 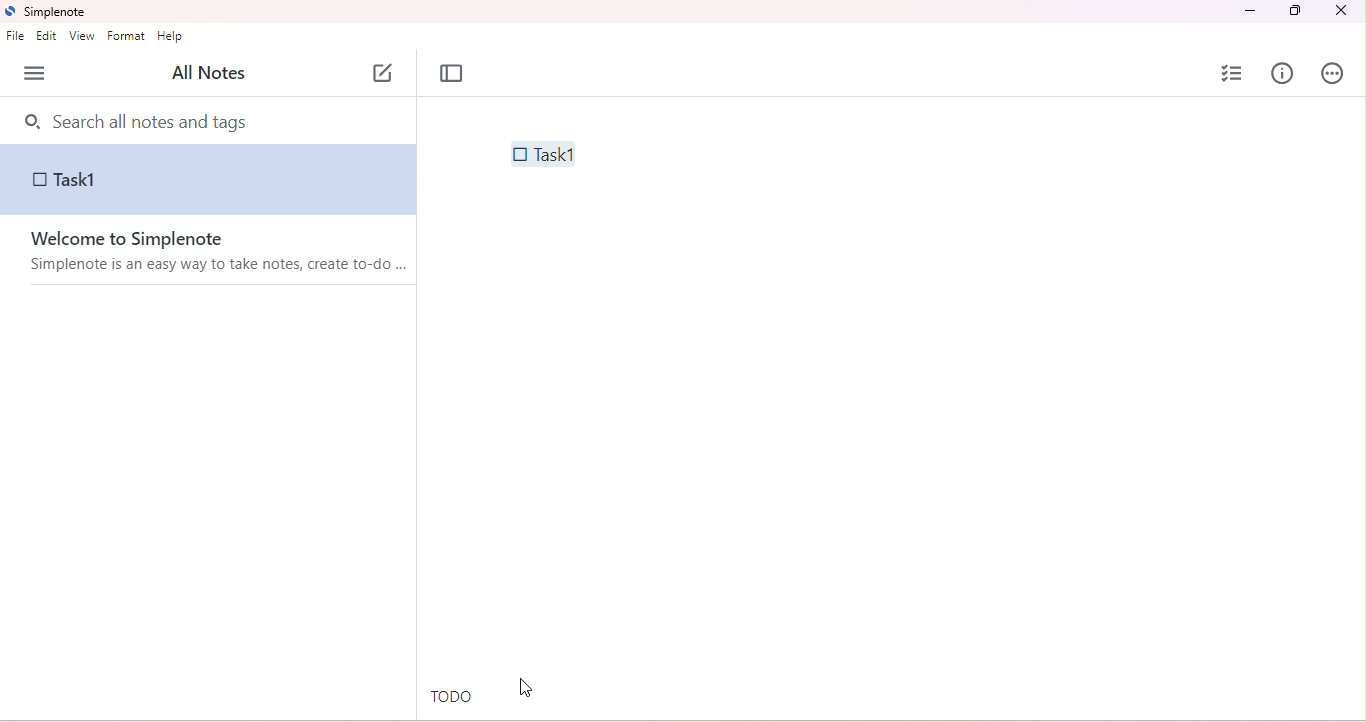 I want to click on typed TODO , so click(x=452, y=697).